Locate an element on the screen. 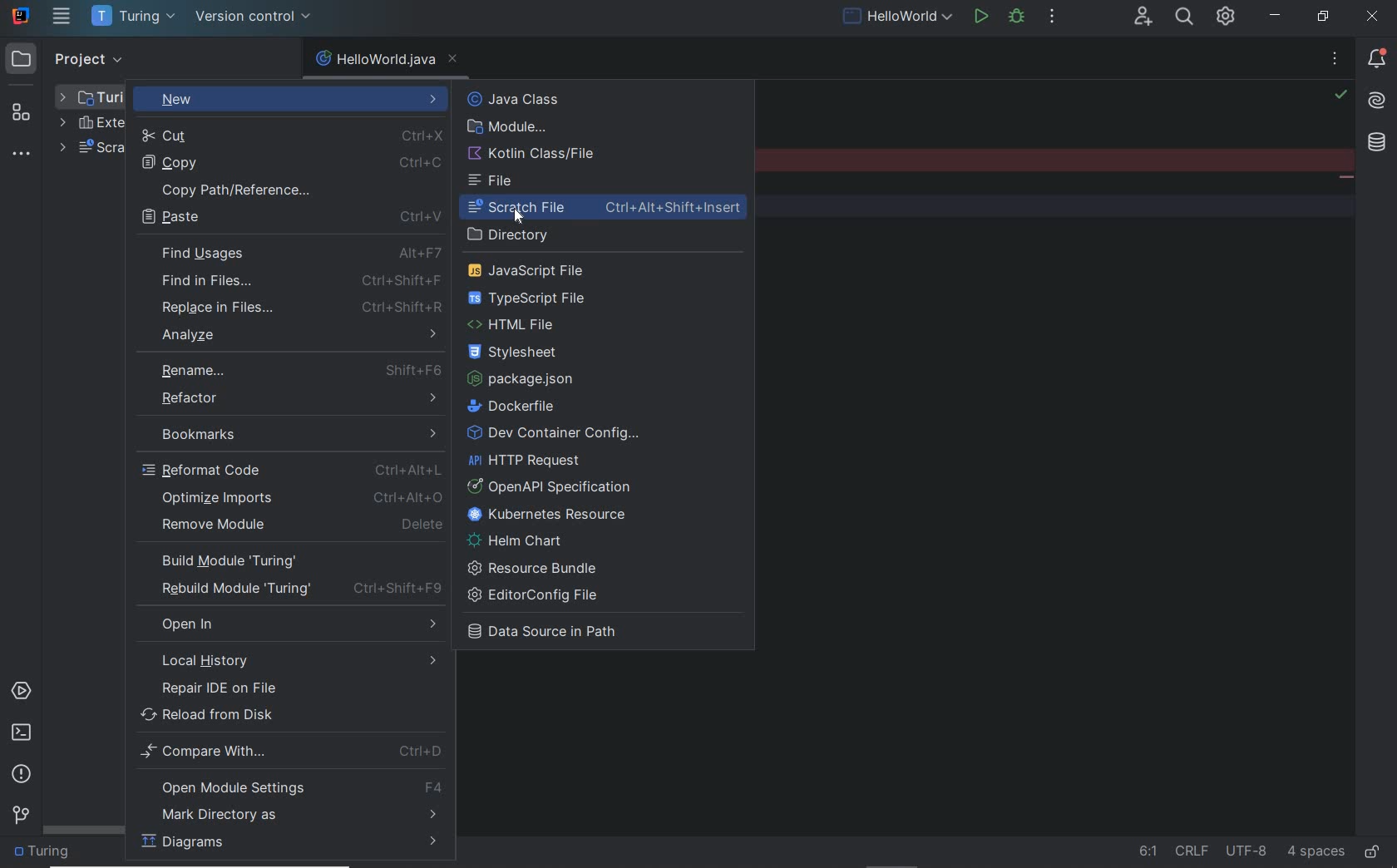  MINIMIZE is located at coordinates (1277, 16).